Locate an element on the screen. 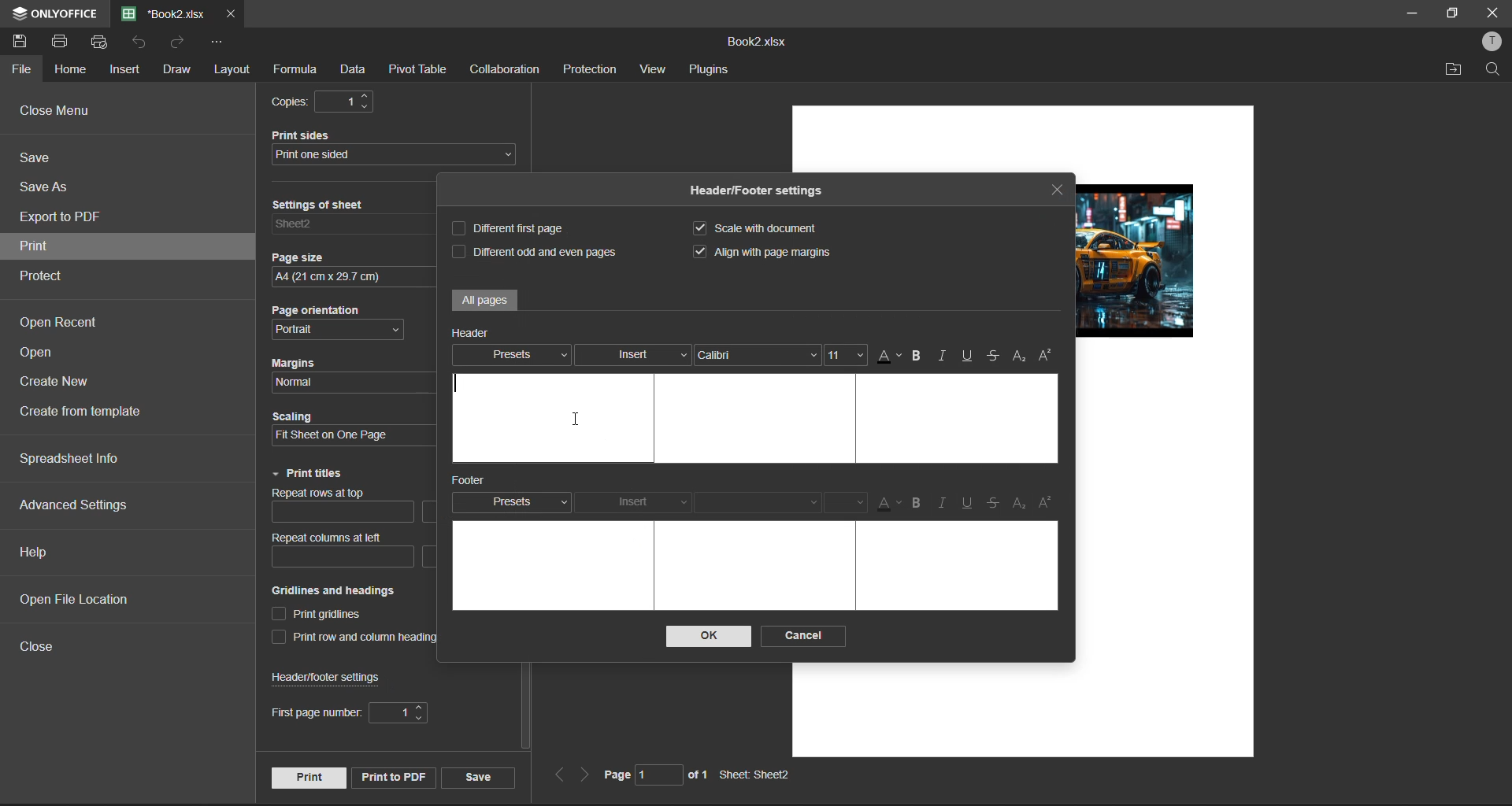  strikethrough is located at coordinates (994, 505).